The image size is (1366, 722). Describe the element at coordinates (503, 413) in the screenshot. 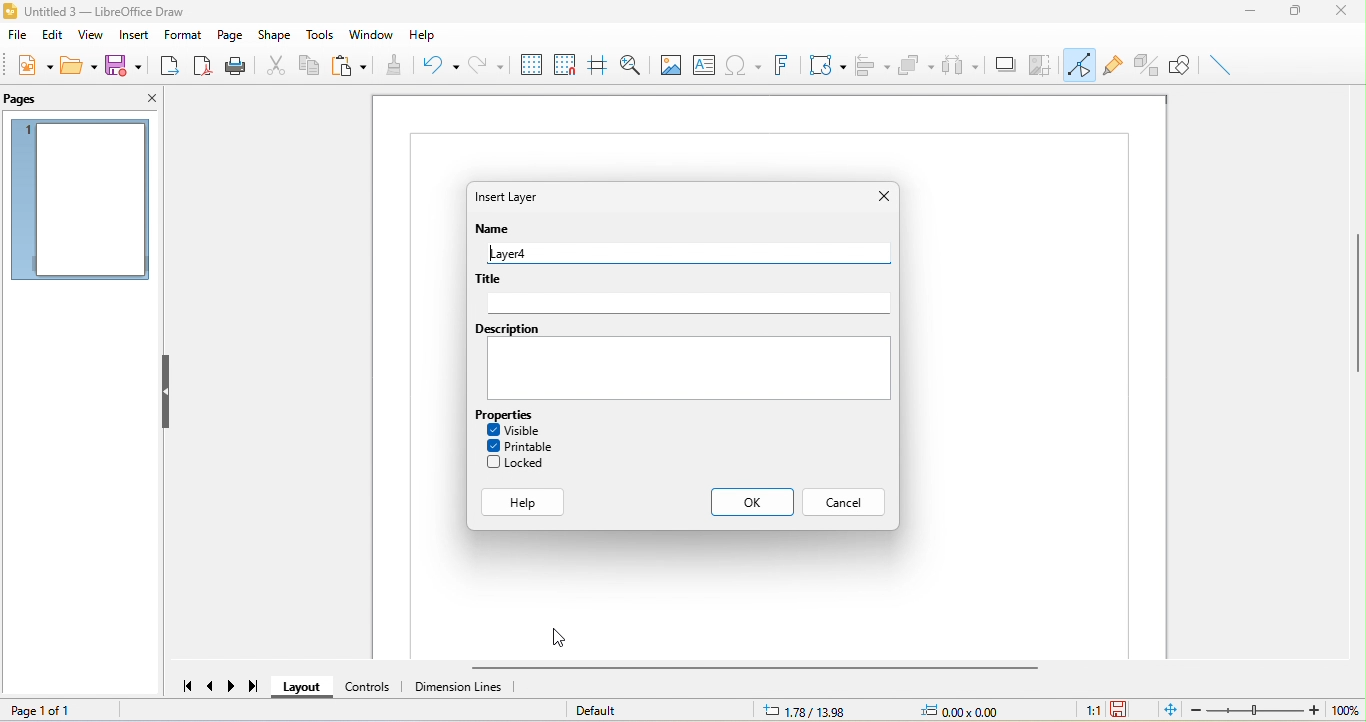

I see `Properties` at that location.